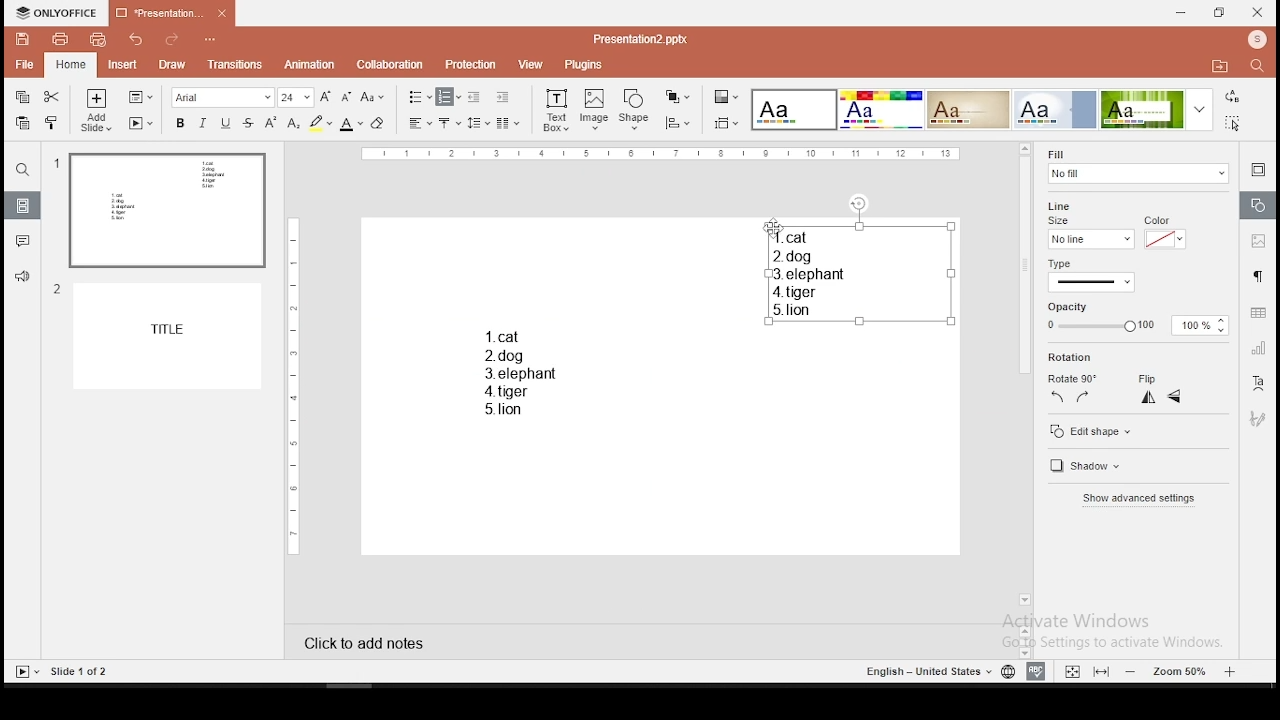 This screenshot has width=1280, height=720. Describe the element at coordinates (72, 64) in the screenshot. I see `home` at that location.